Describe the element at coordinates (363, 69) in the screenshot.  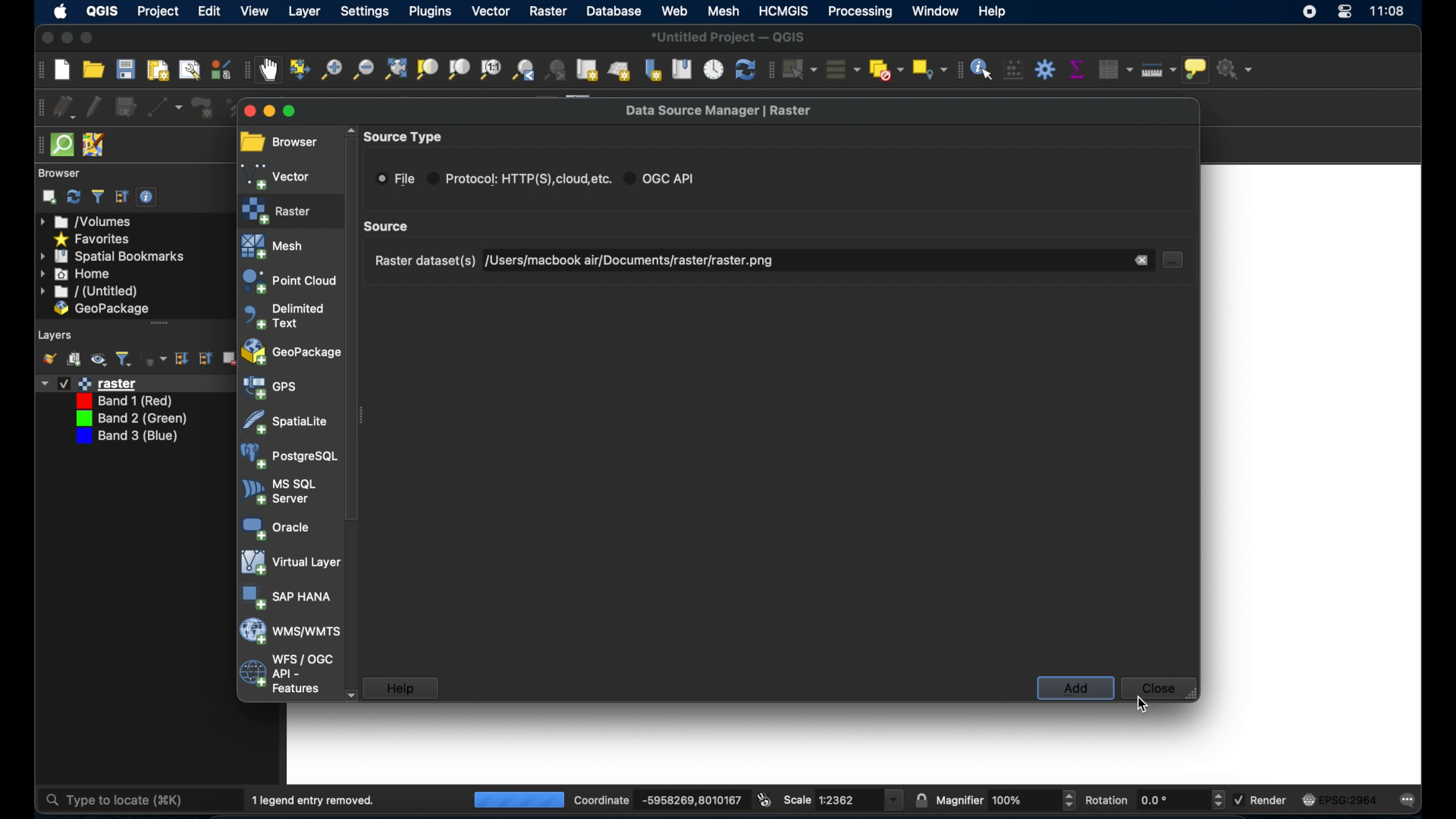
I see `zoom out` at that location.